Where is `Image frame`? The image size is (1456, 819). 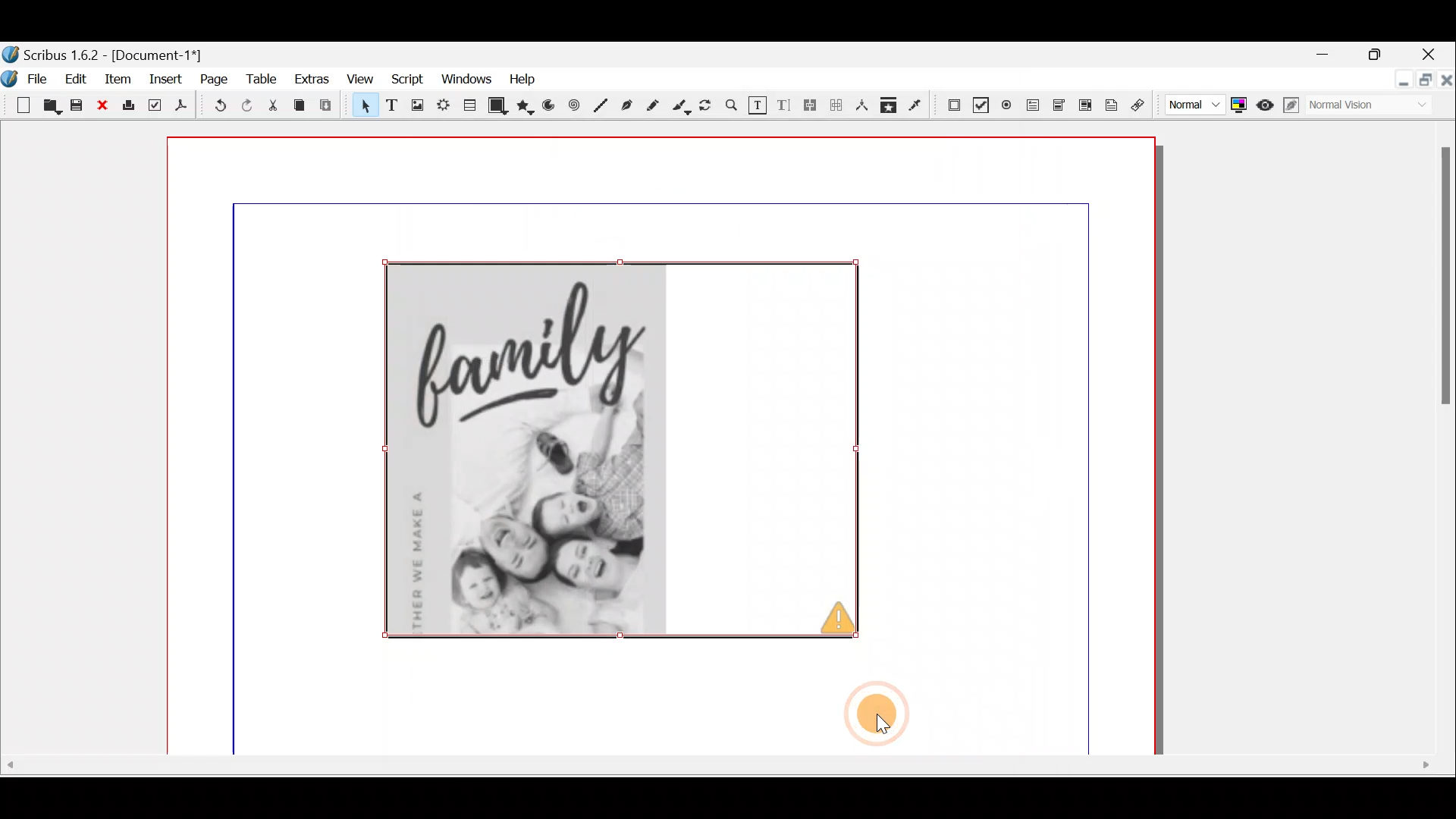 Image frame is located at coordinates (413, 105).